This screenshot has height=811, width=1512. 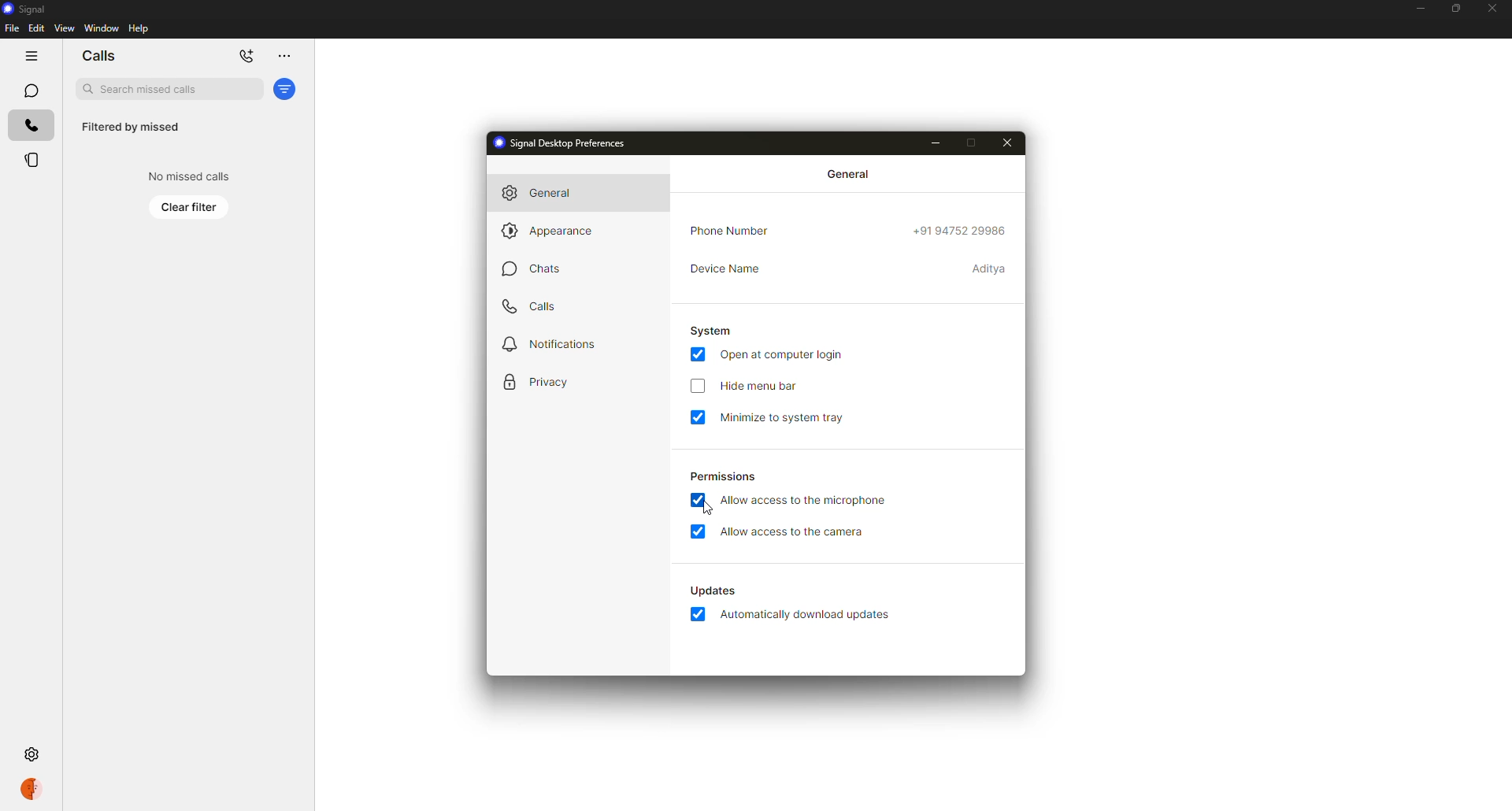 I want to click on permissions, so click(x=725, y=477).